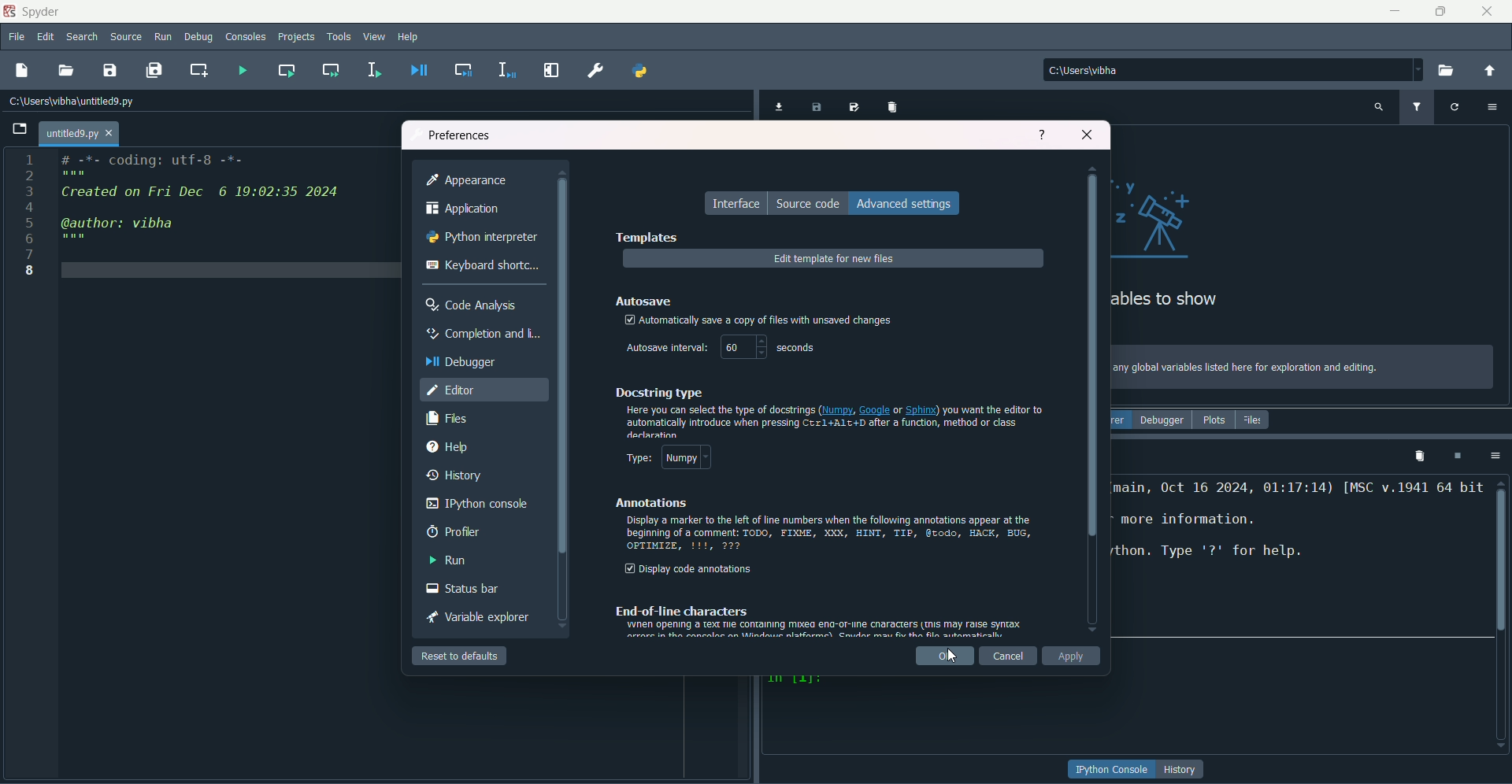  What do you see at coordinates (127, 37) in the screenshot?
I see `source` at bounding box center [127, 37].